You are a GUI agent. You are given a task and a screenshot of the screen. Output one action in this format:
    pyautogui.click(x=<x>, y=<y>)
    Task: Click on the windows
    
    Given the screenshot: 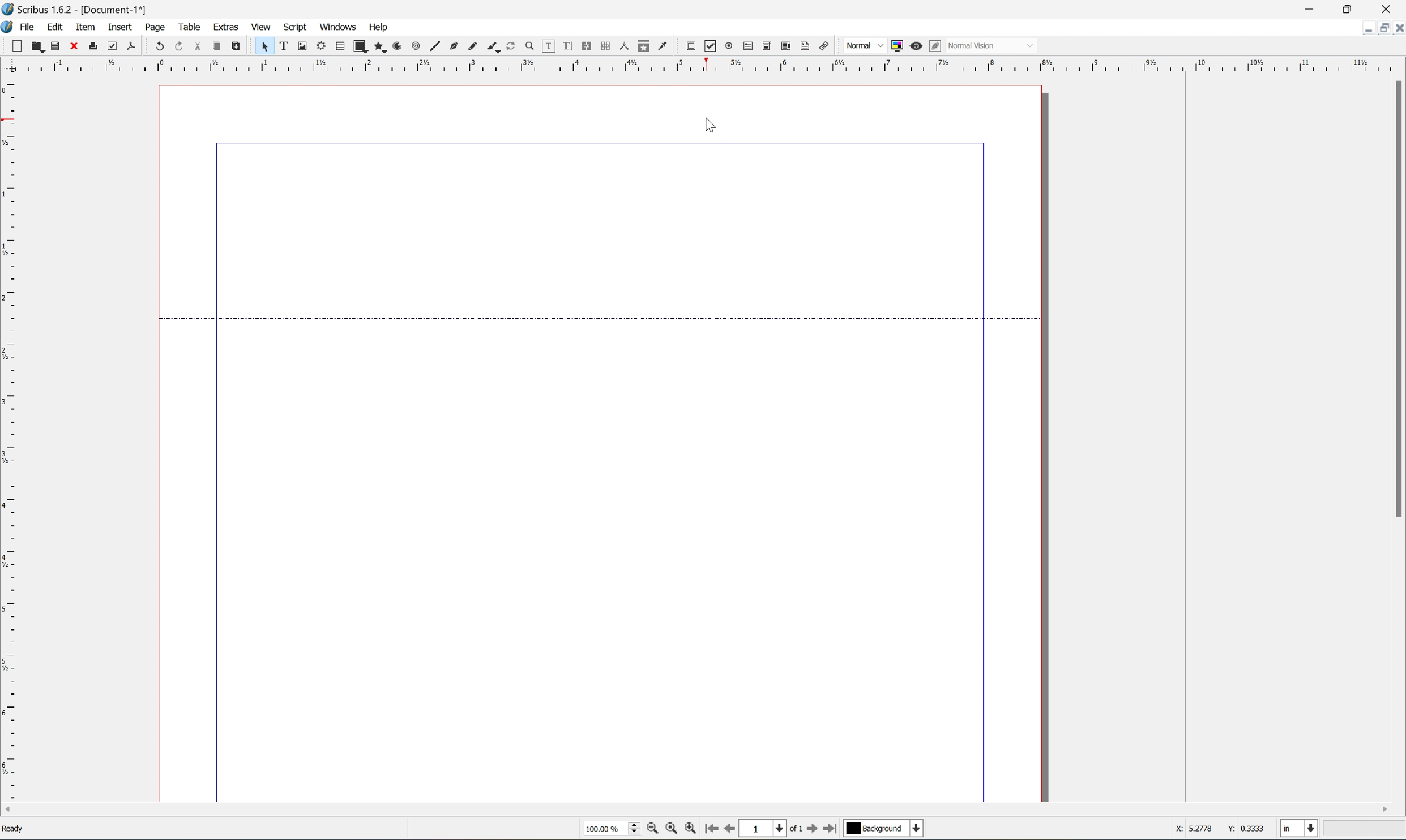 What is the action you would take?
    pyautogui.click(x=338, y=25)
    